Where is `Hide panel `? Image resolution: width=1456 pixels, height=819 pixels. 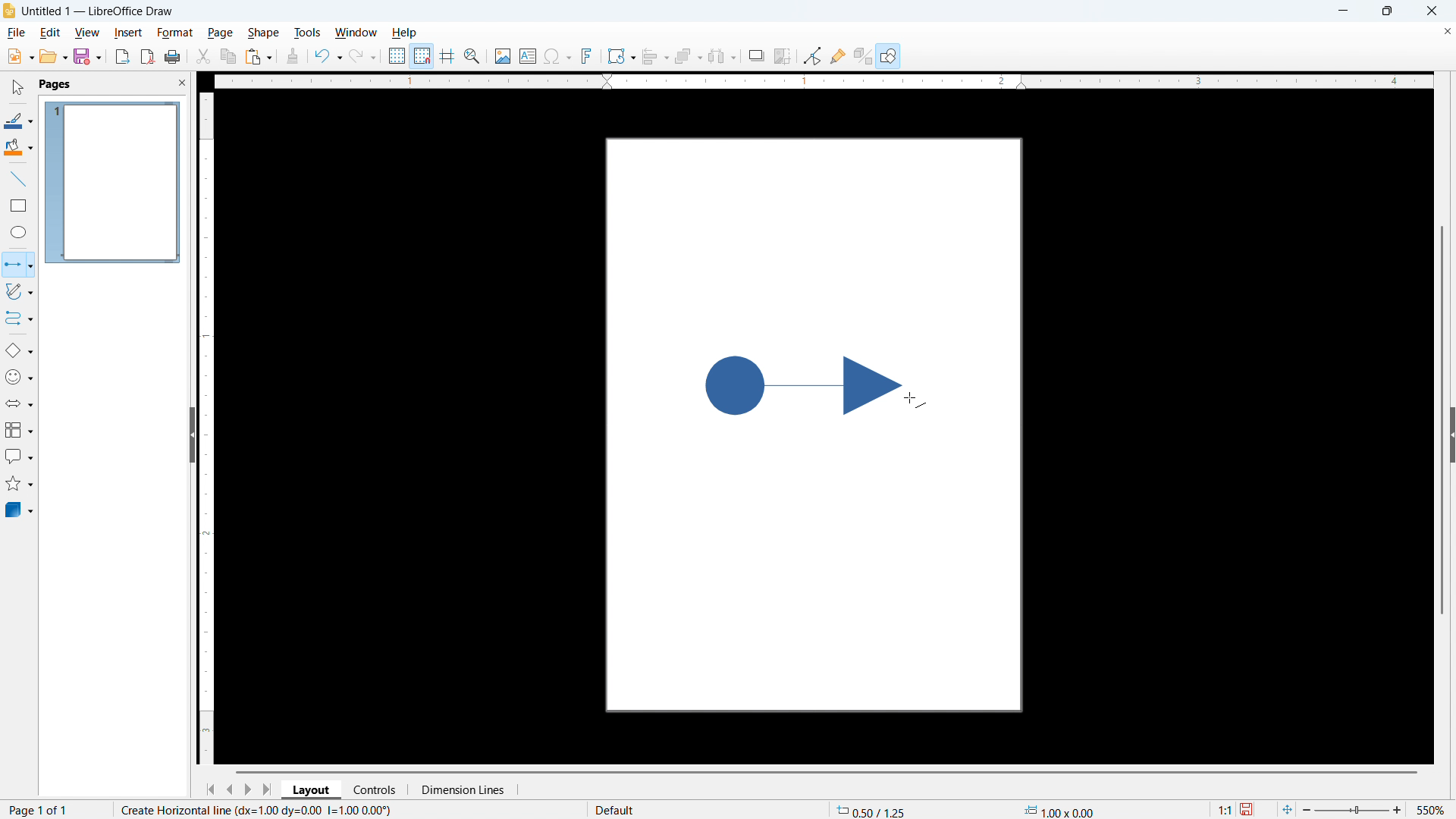 Hide panel  is located at coordinates (191, 432).